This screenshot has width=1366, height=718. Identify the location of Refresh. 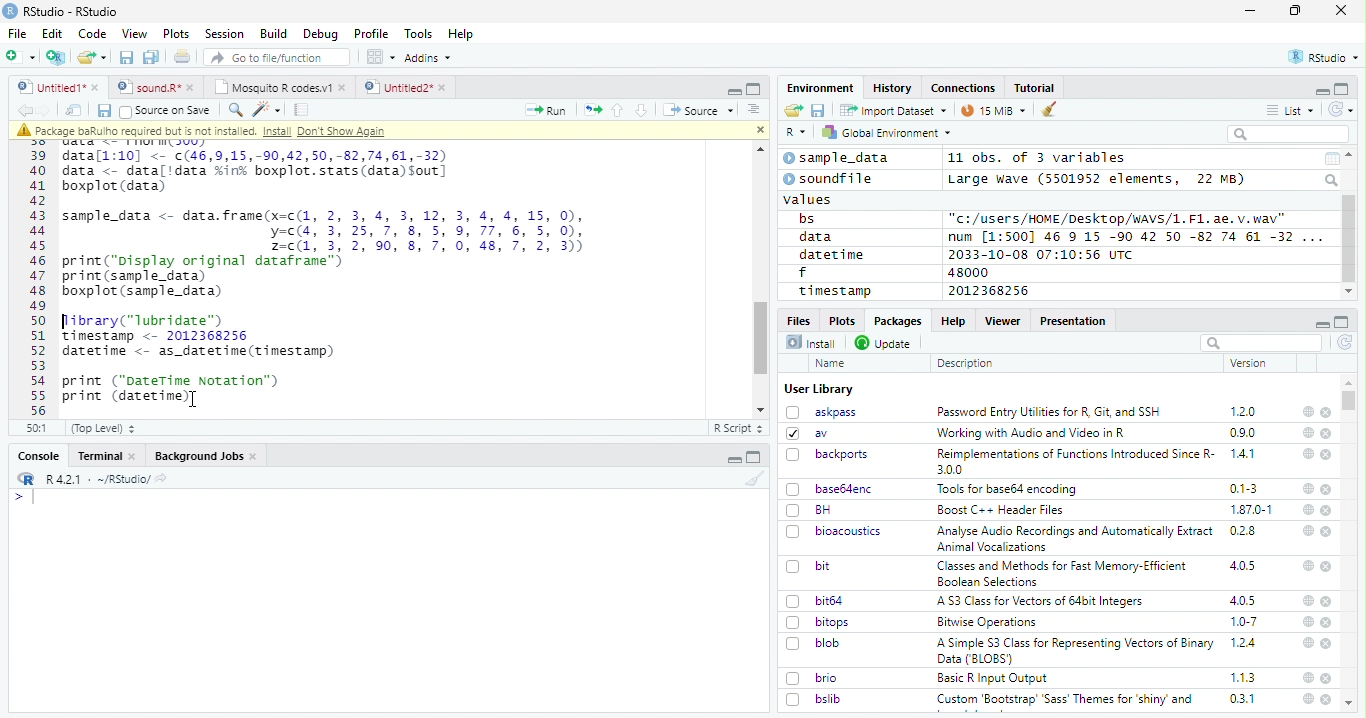
(1342, 109).